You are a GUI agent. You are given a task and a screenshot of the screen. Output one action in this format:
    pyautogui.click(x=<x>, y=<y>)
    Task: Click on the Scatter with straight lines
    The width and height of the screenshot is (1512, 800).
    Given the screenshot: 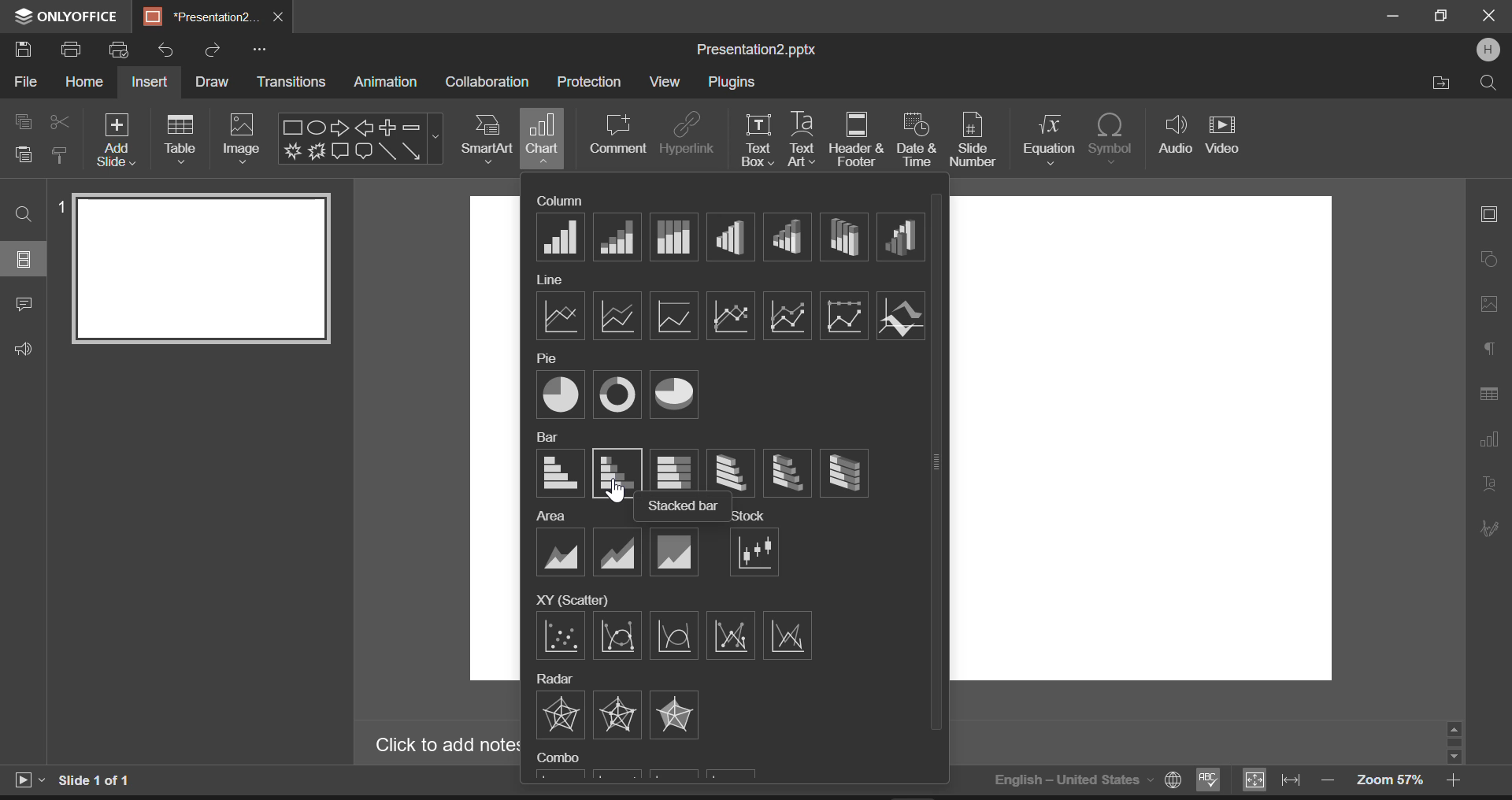 What is the action you would take?
    pyautogui.click(x=786, y=636)
    